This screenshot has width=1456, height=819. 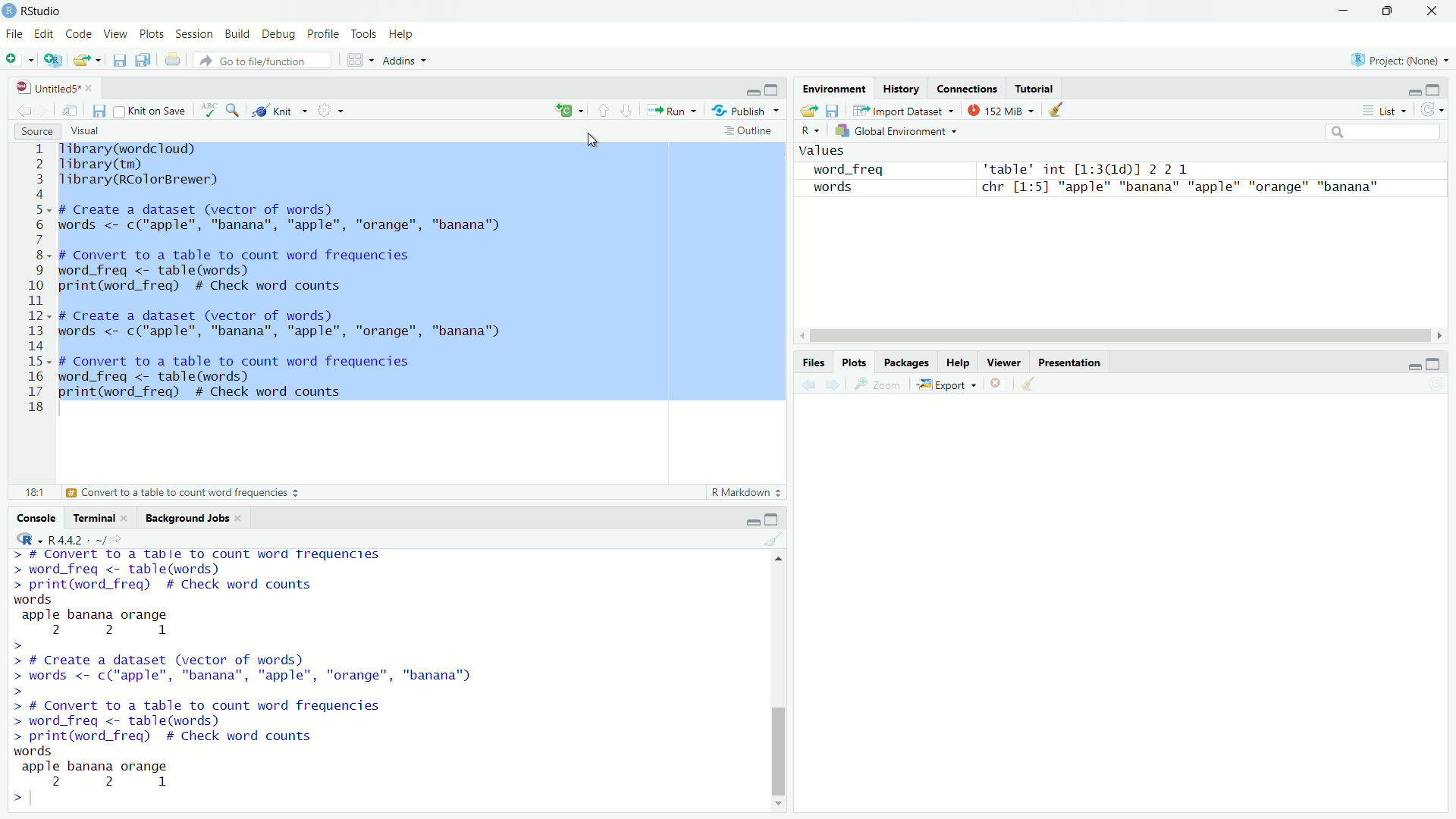 What do you see at coordinates (279, 108) in the screenshot?
I see `Kint` at bounding box center [279, 108].